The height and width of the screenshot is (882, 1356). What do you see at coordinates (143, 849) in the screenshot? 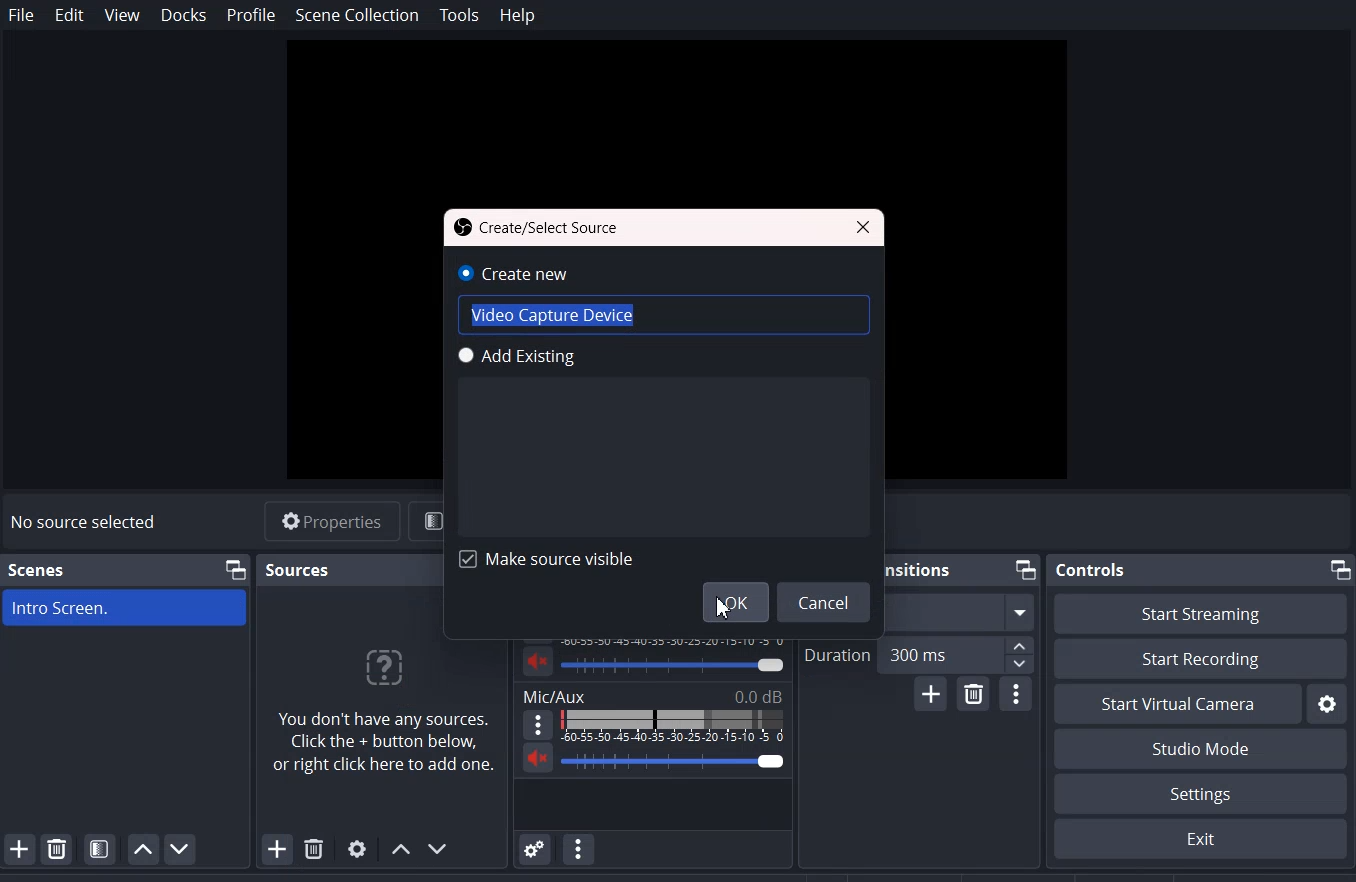
I see `Move Scene Up` at bounding box center [143, 849].